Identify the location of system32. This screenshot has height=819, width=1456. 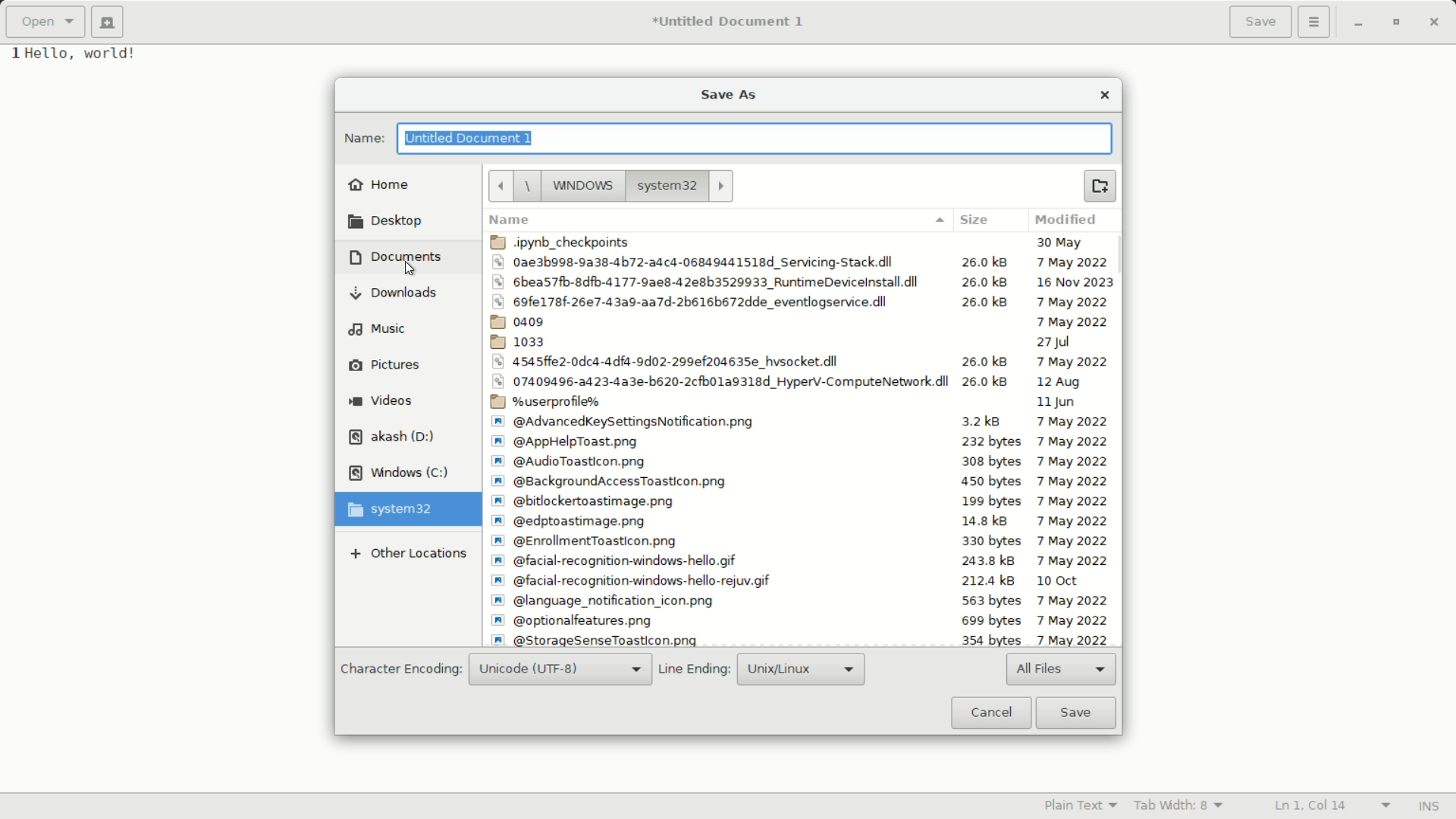
(666, 186).